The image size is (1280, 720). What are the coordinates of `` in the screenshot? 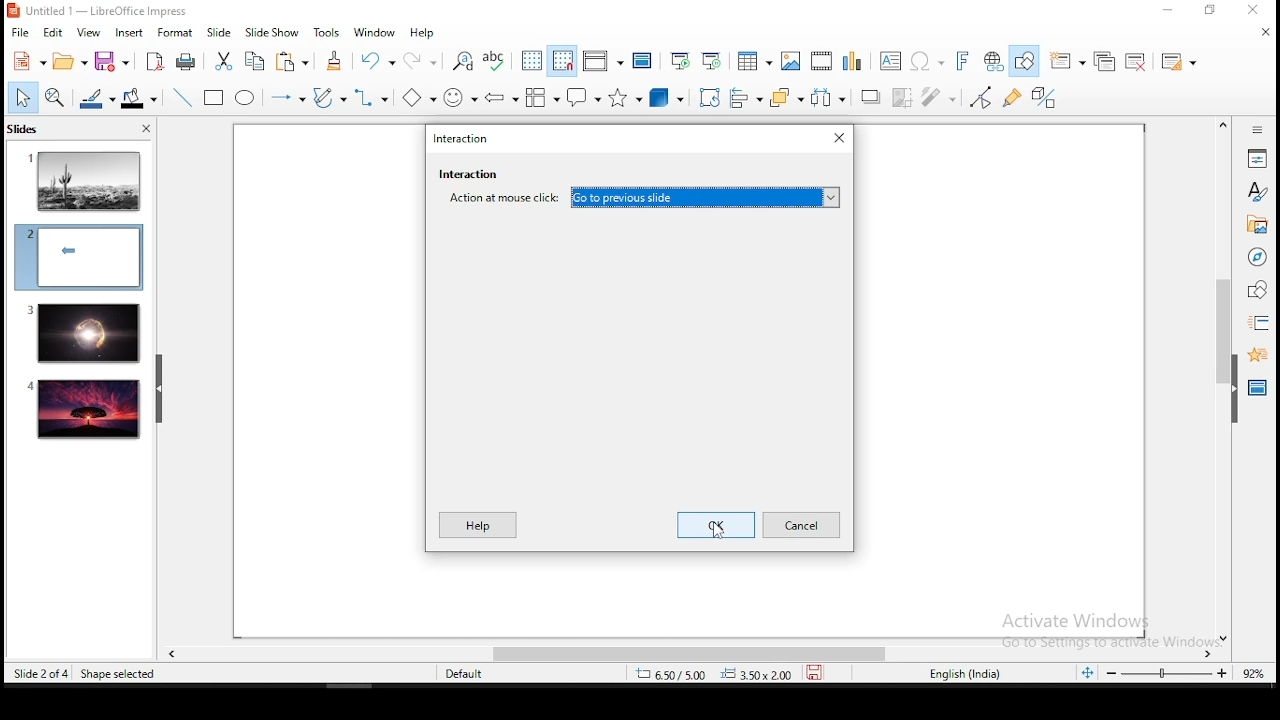 It's located at (1255, 129).